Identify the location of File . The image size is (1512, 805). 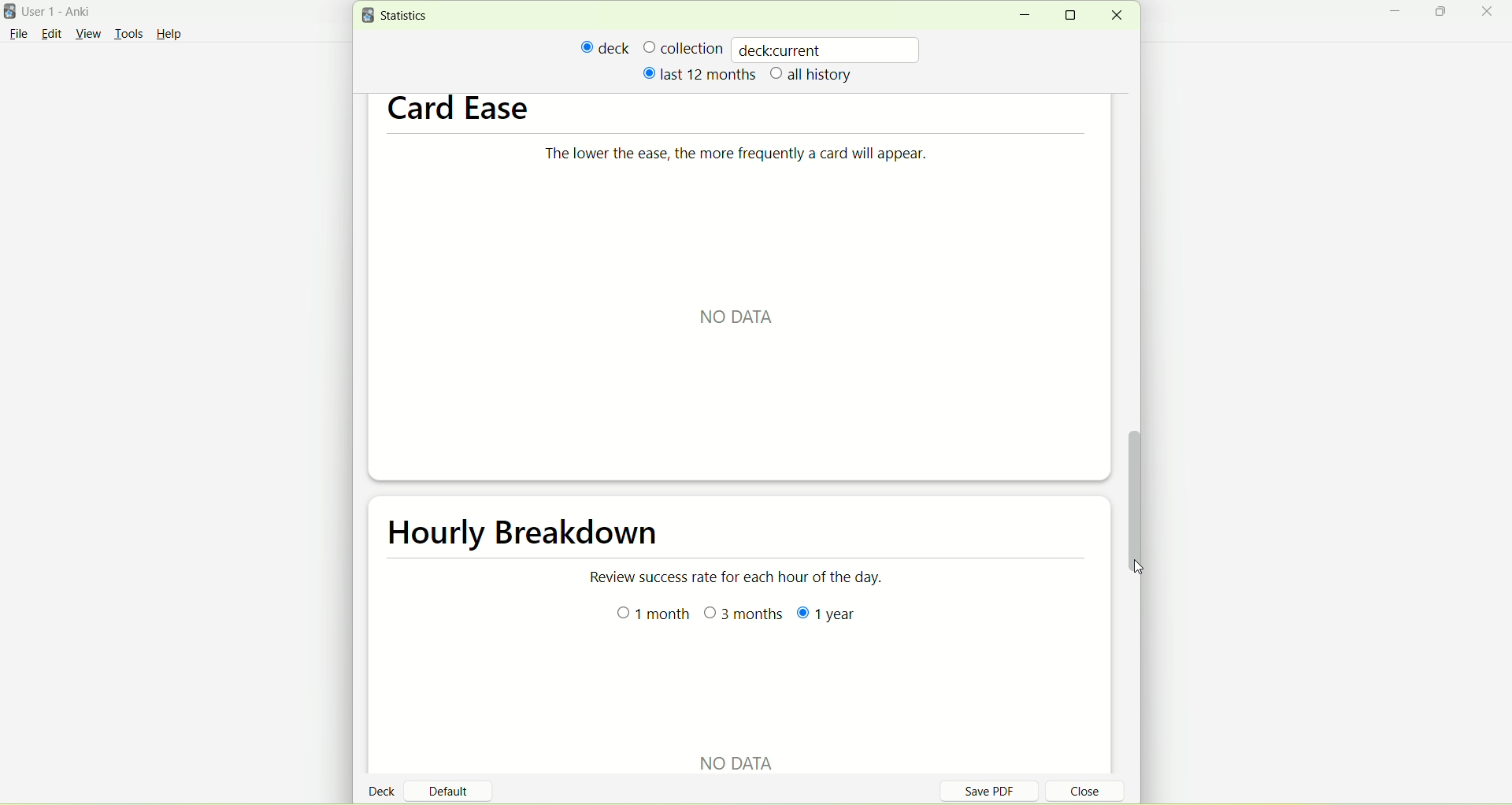
(18, 34).